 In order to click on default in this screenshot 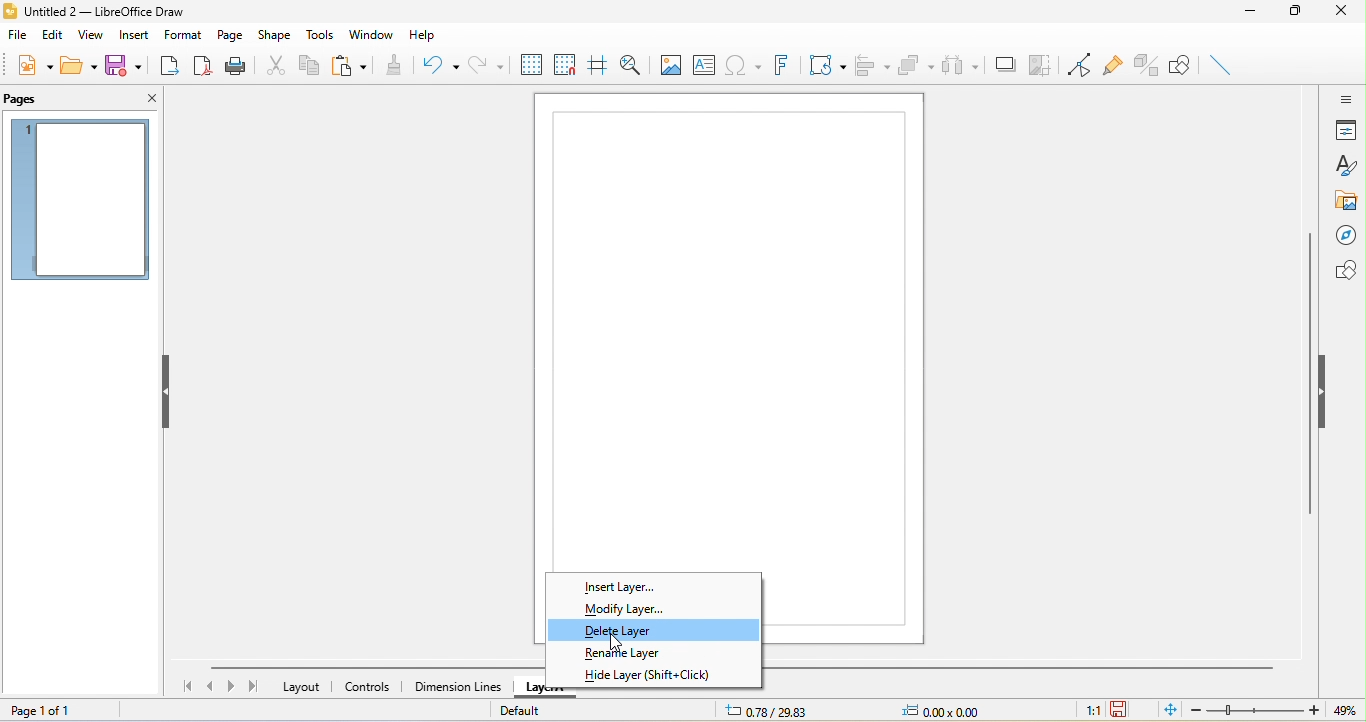, I will do `click(535, 713)`.